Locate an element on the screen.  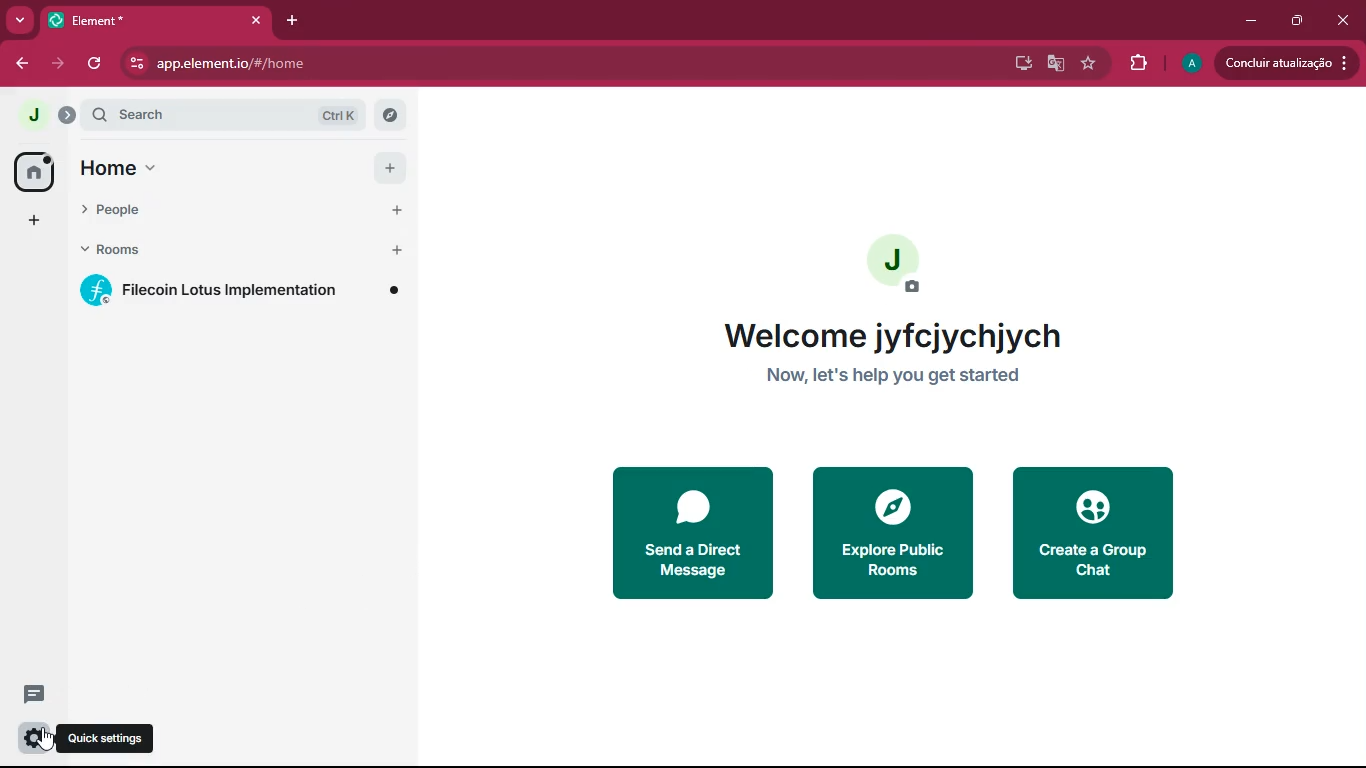
quick settings is located at coordinates (106, 741).